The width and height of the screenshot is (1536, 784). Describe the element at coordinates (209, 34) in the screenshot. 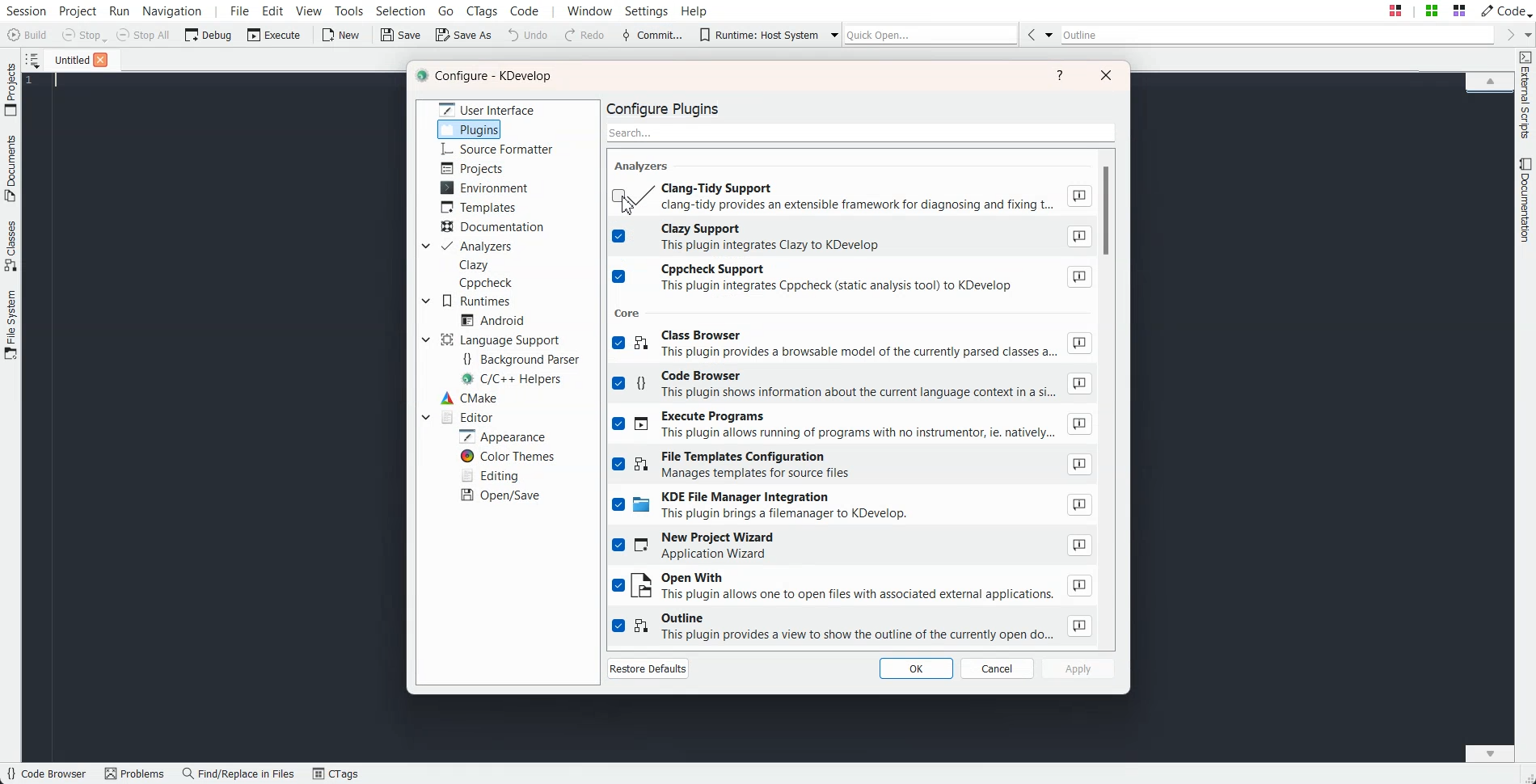

I see `Debug` at that location.